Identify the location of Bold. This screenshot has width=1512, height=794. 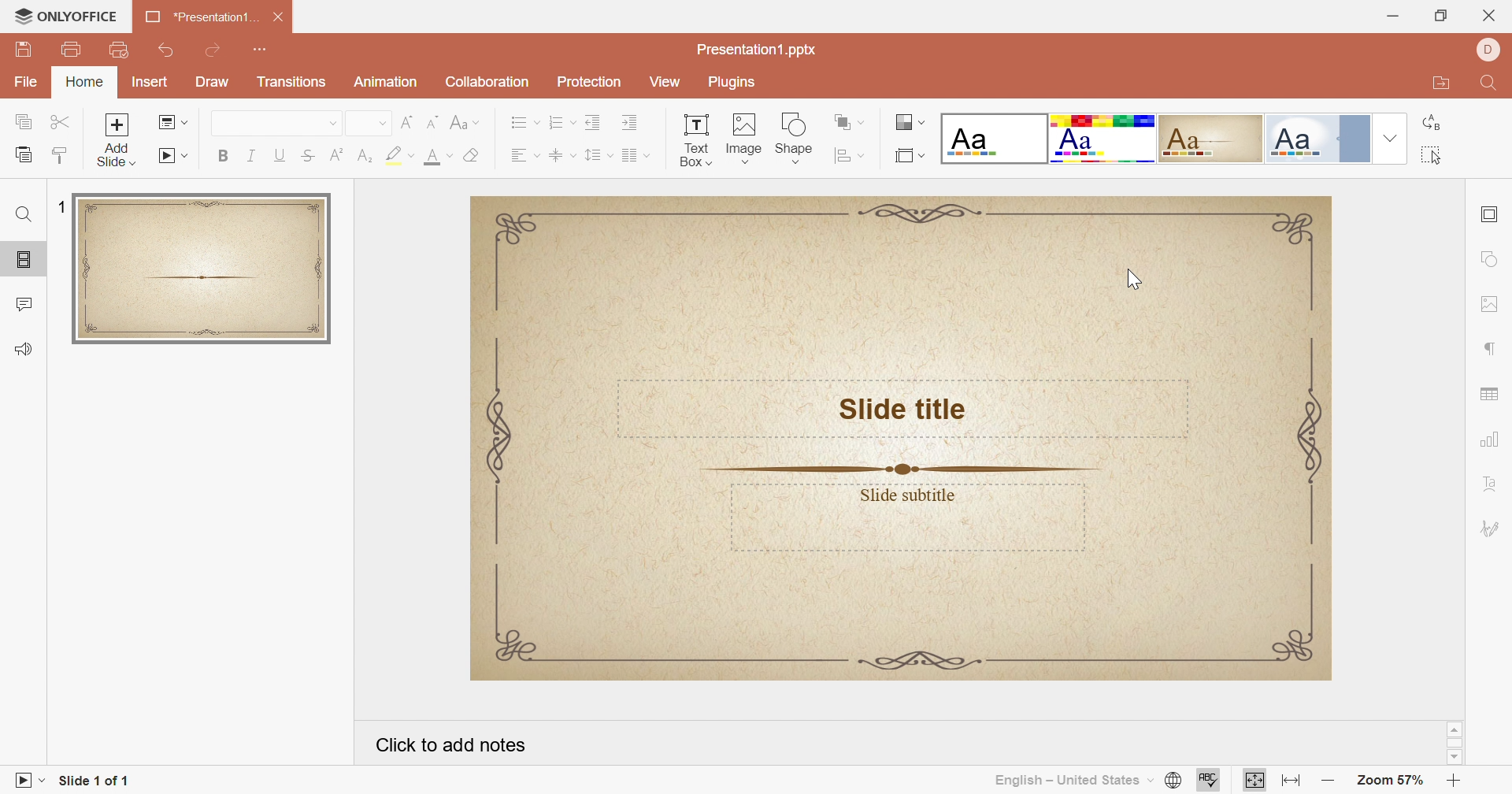
(223, 157).